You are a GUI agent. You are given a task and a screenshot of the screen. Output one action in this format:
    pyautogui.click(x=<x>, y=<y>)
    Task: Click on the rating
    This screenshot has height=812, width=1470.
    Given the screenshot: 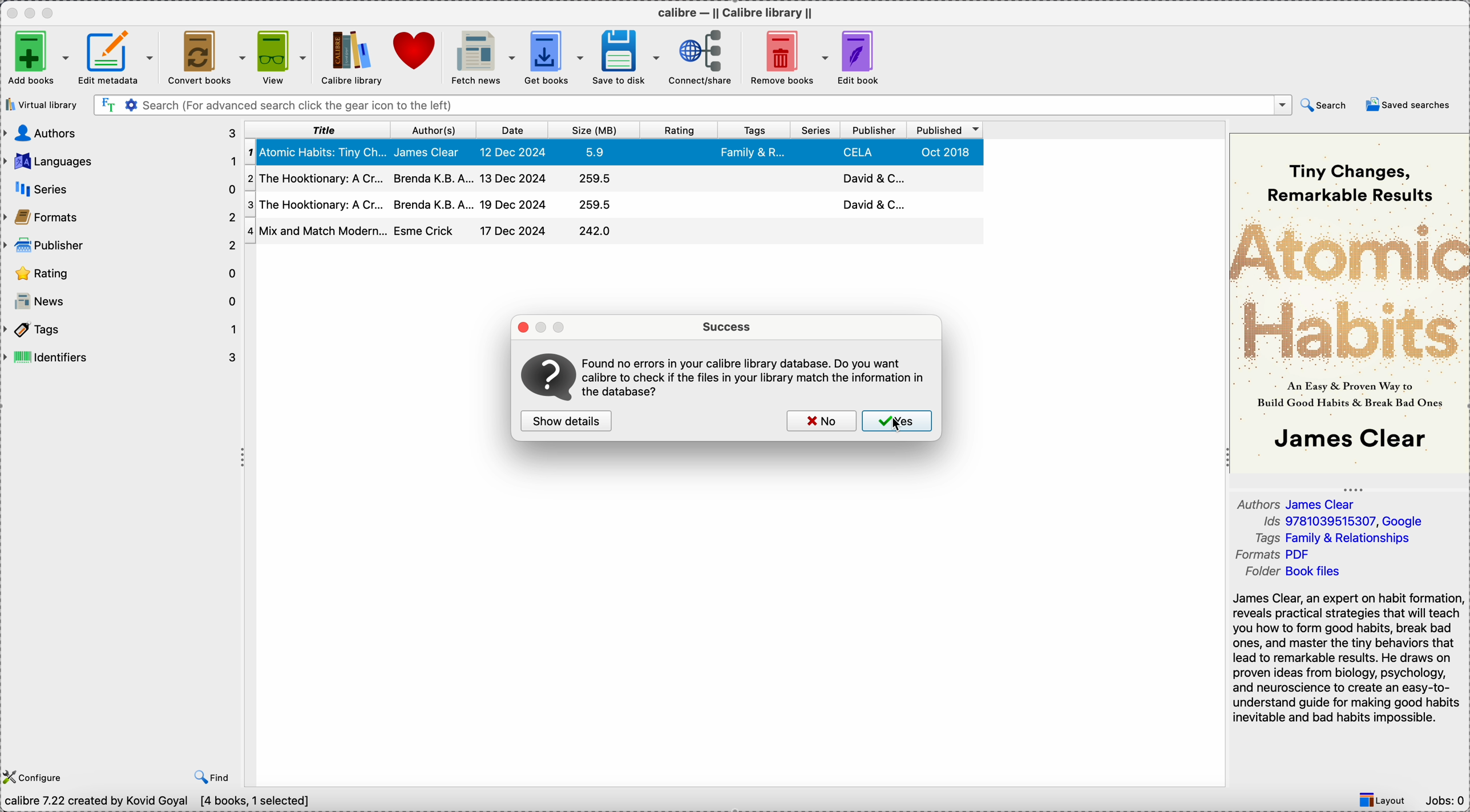 What is the action you would take?
    pyautogui.click(x=681, y=130)
    